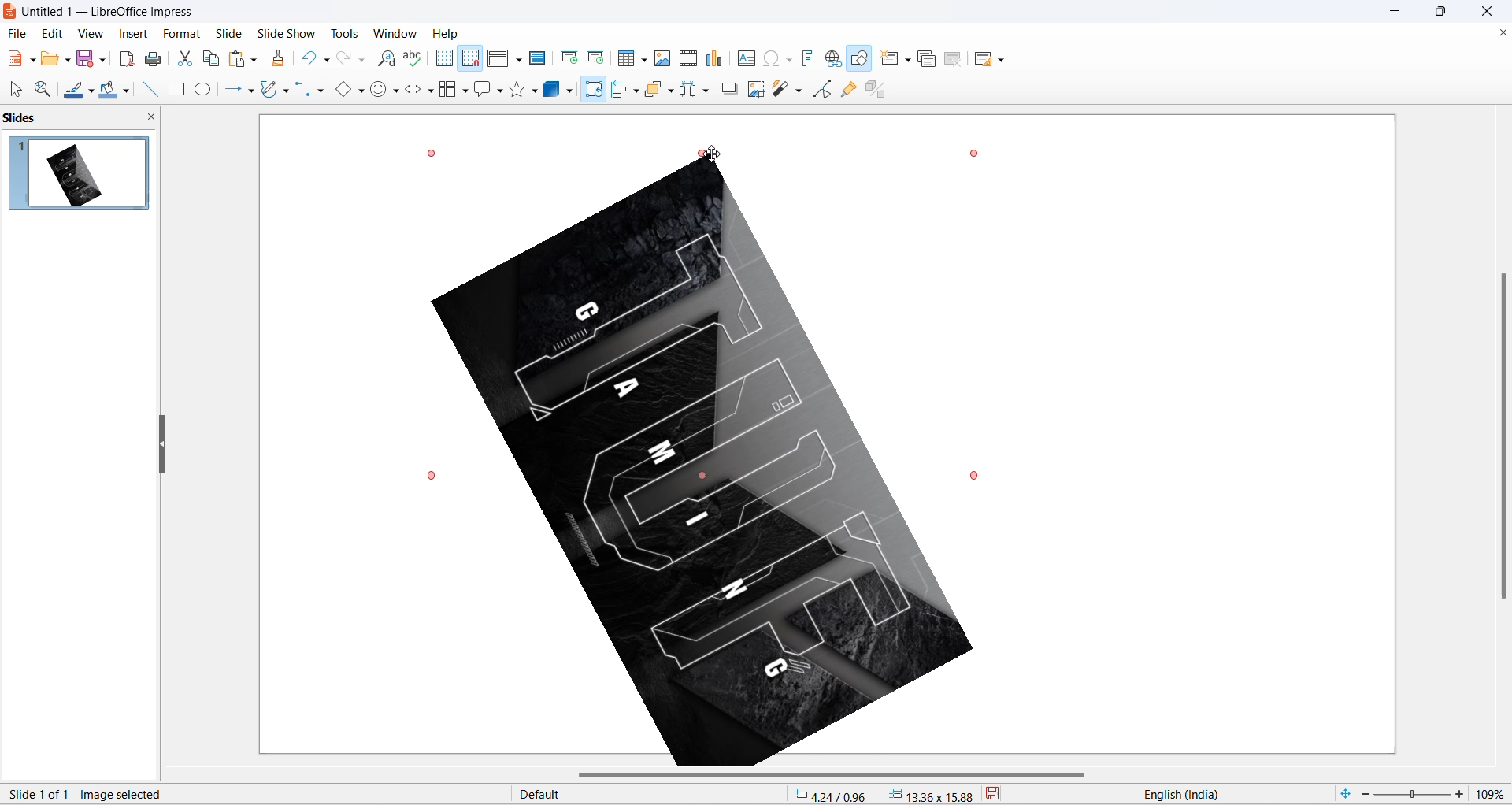 The image size is (1512, 805). Describe the element at coordinates (744, 58) in the screenshot. I see `insert text` at that location.